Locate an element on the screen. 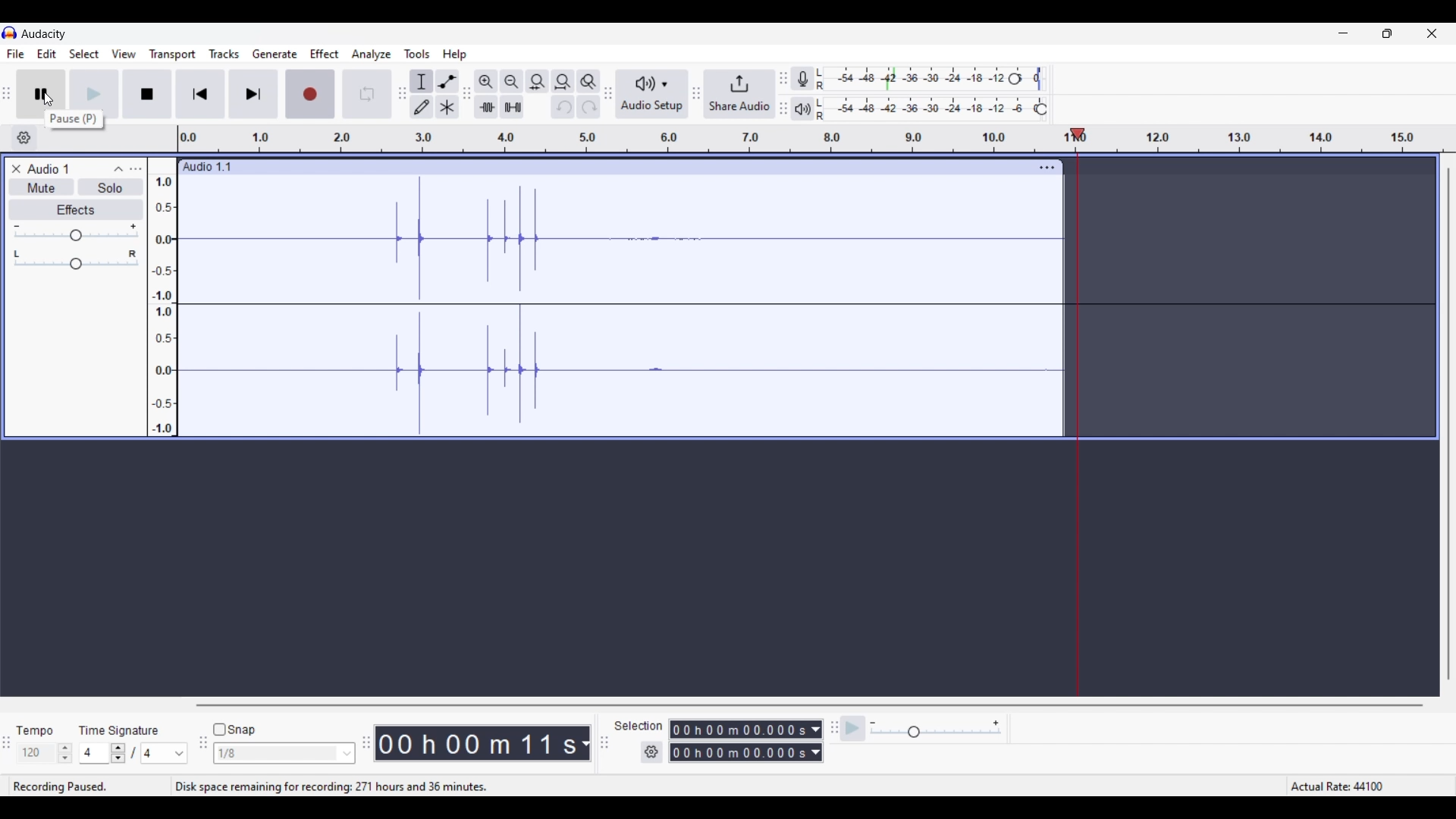 The width and height of the screenshot is (1456, 819). Zoom toggle is located at coordinates (588, 81).